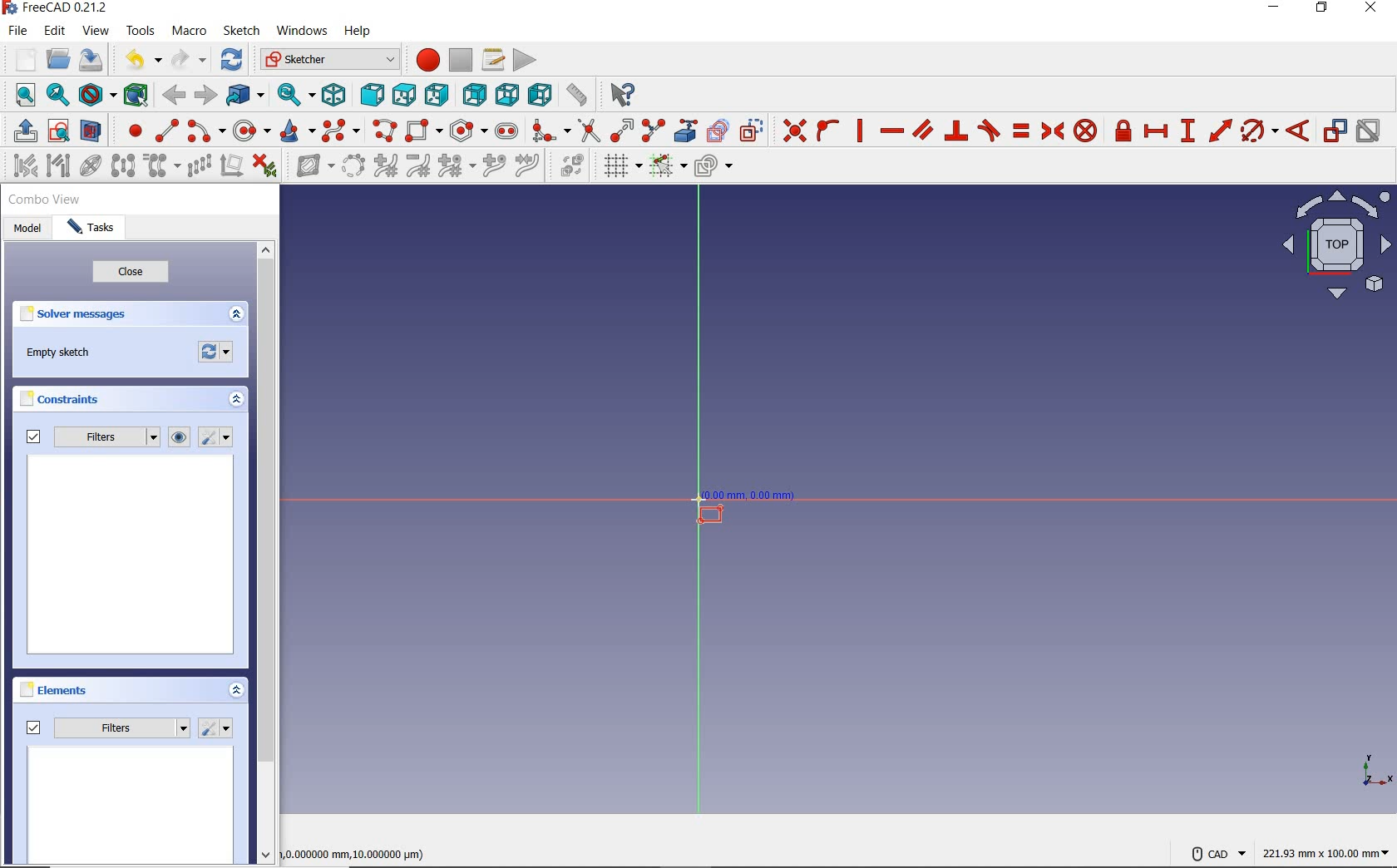 The height and width of the screenshot is (868, 1397). I want to click on macro, so click(190, 32).